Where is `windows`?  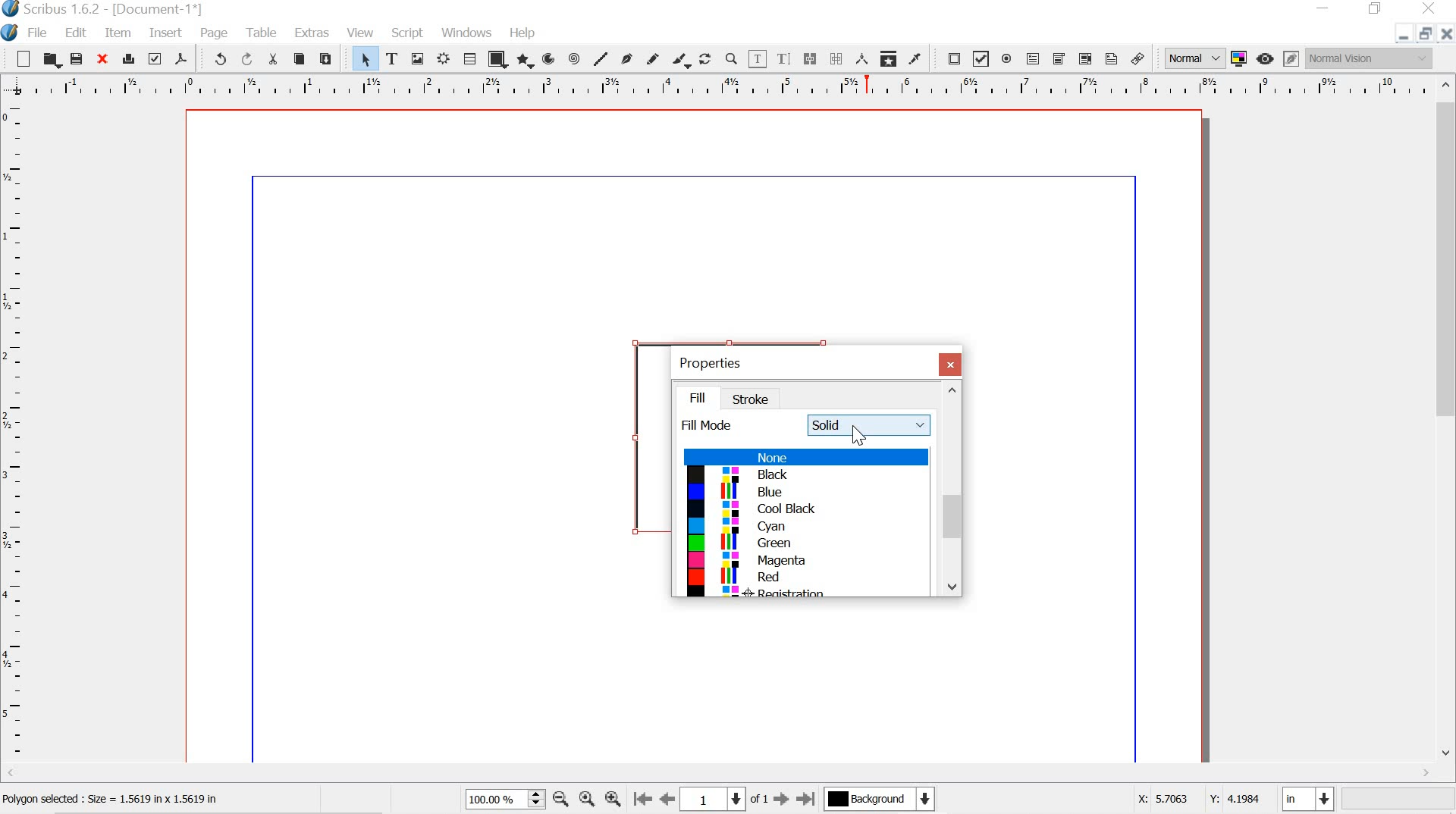
windows is located at coordinates (468, 33).